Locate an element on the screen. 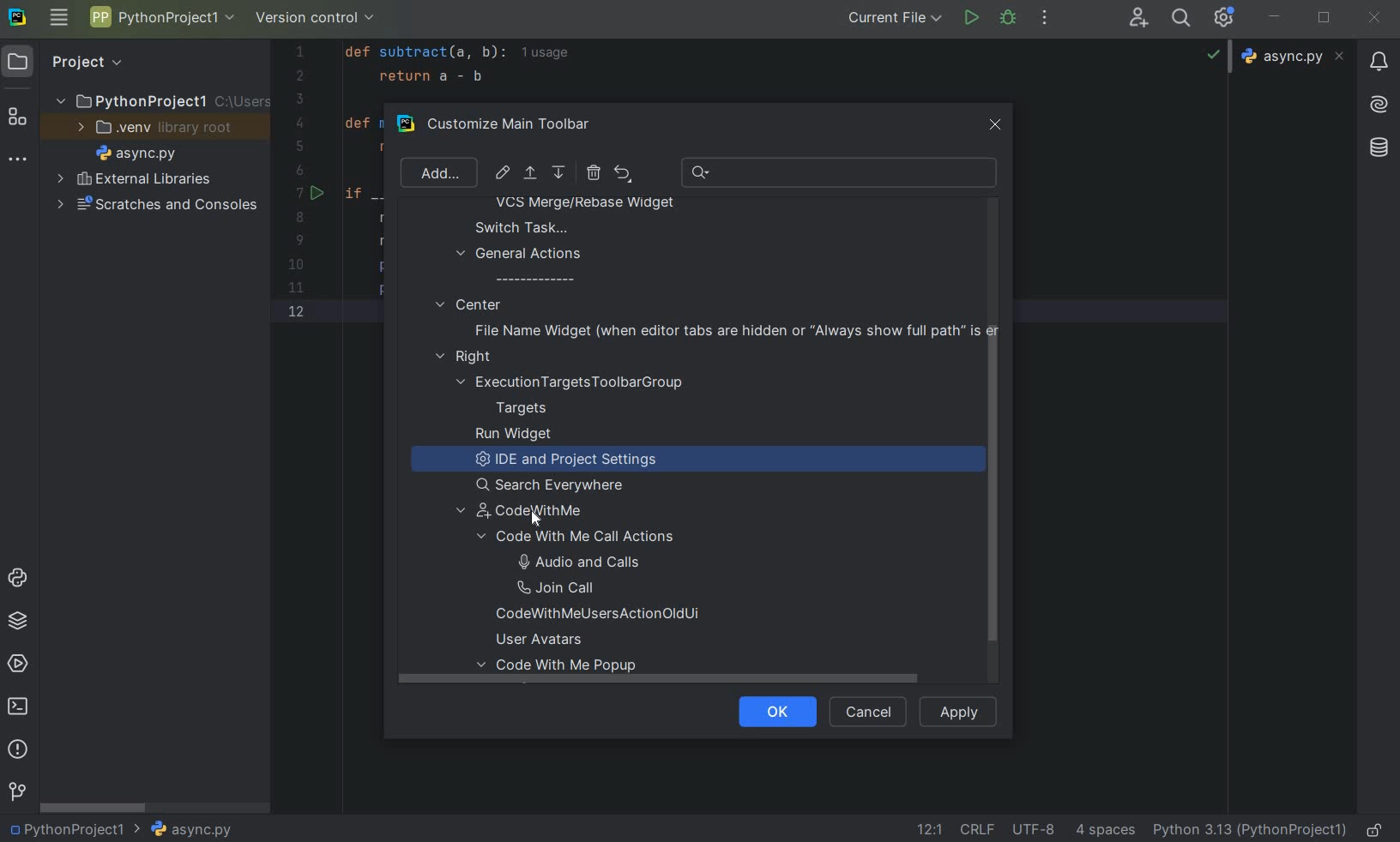  FILE ENCODING is located at coordinates (1040, 829).